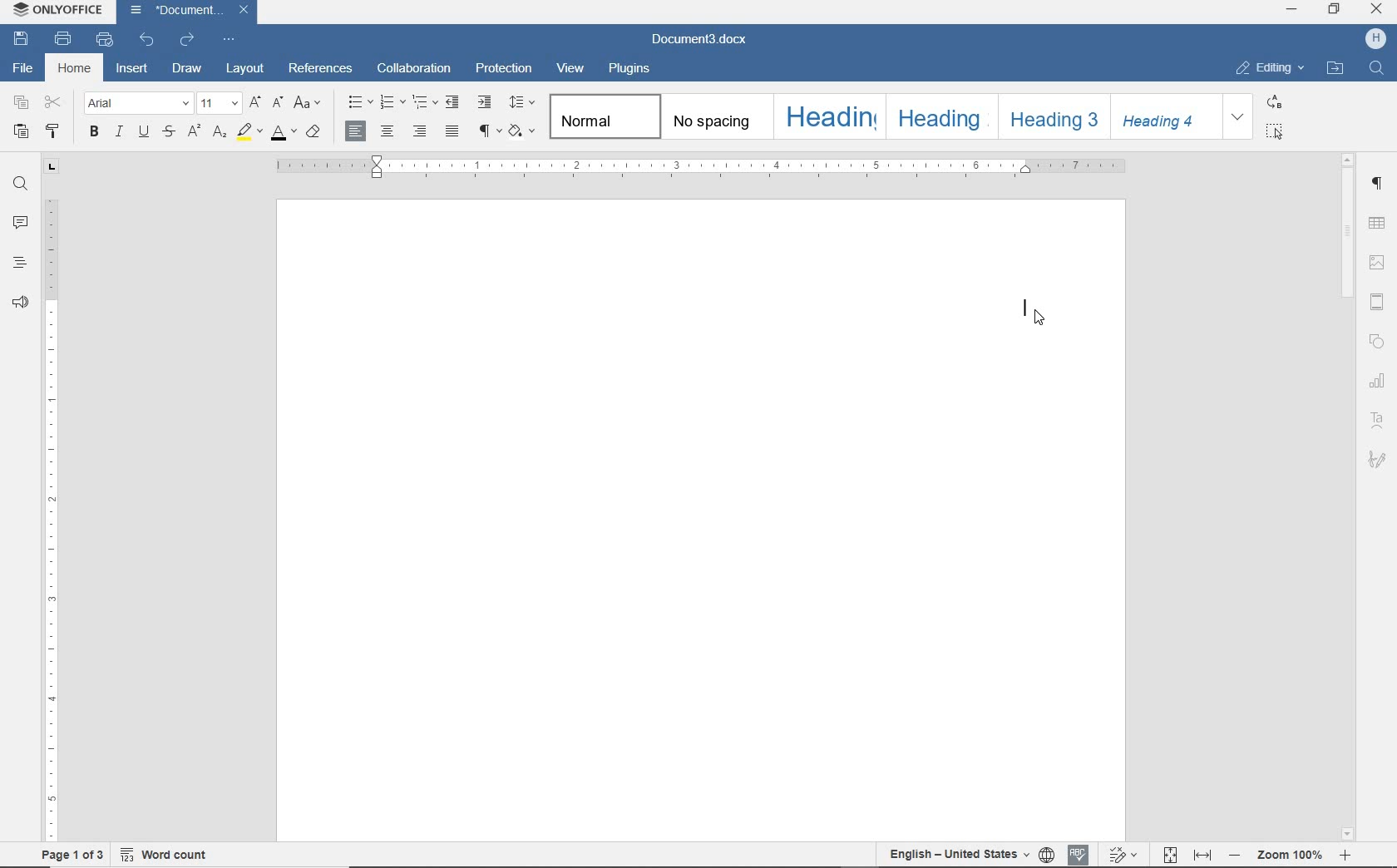 Image resolution: width=1397 pixels, height=868 pixels. I want to click on DECREASE FONT SIZE, so click(278, 102).